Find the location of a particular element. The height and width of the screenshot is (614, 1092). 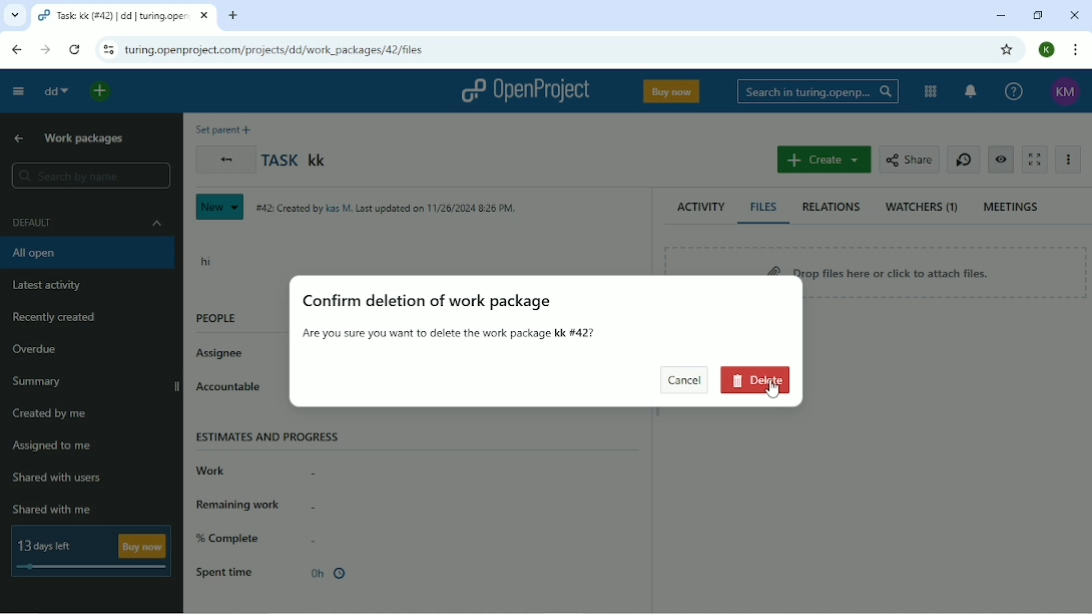

Created by me is located at coordinates (53, 413).